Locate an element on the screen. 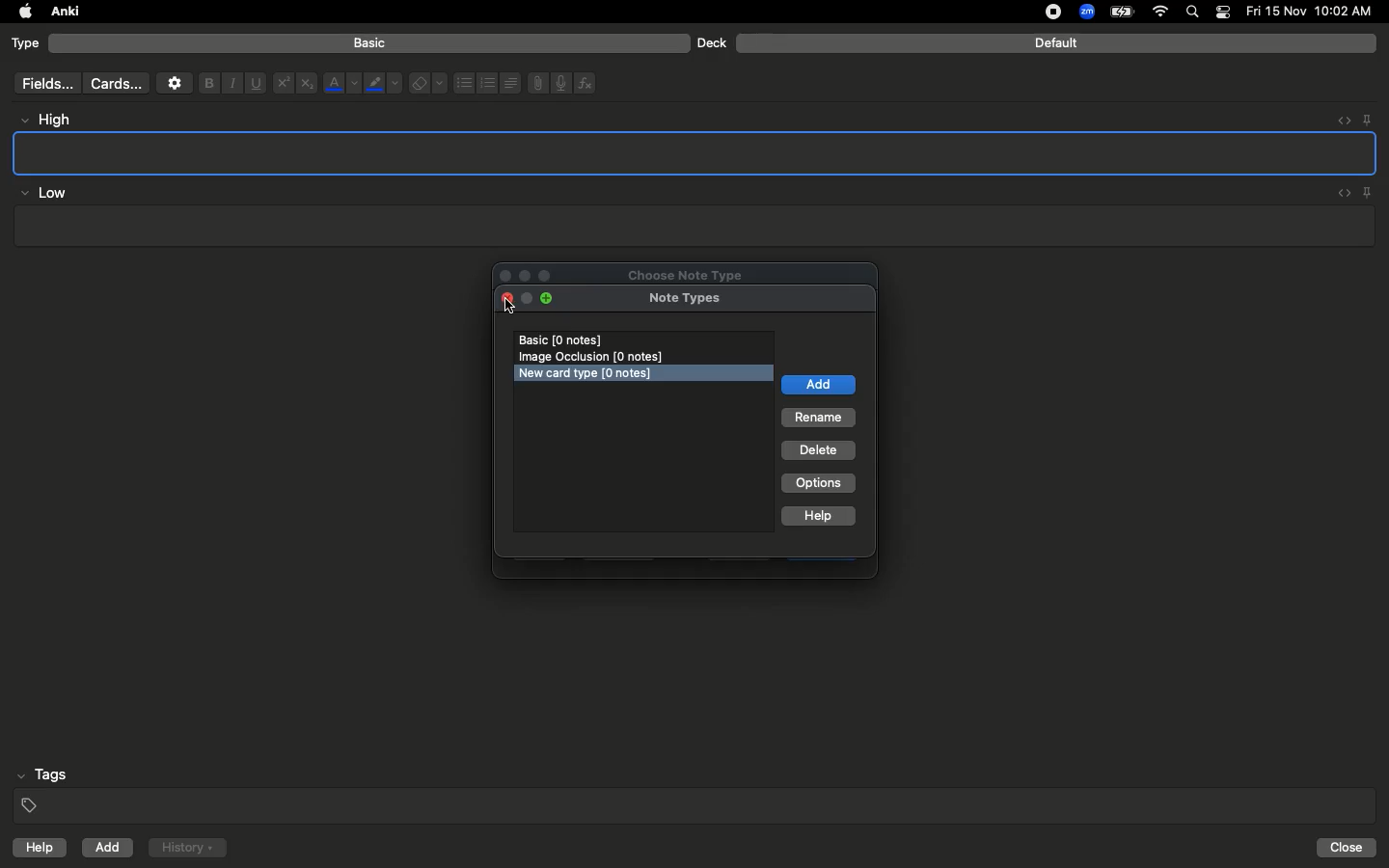 This screenshot has width=1389, height=868. Embed is located at coordinates (1338, 121).